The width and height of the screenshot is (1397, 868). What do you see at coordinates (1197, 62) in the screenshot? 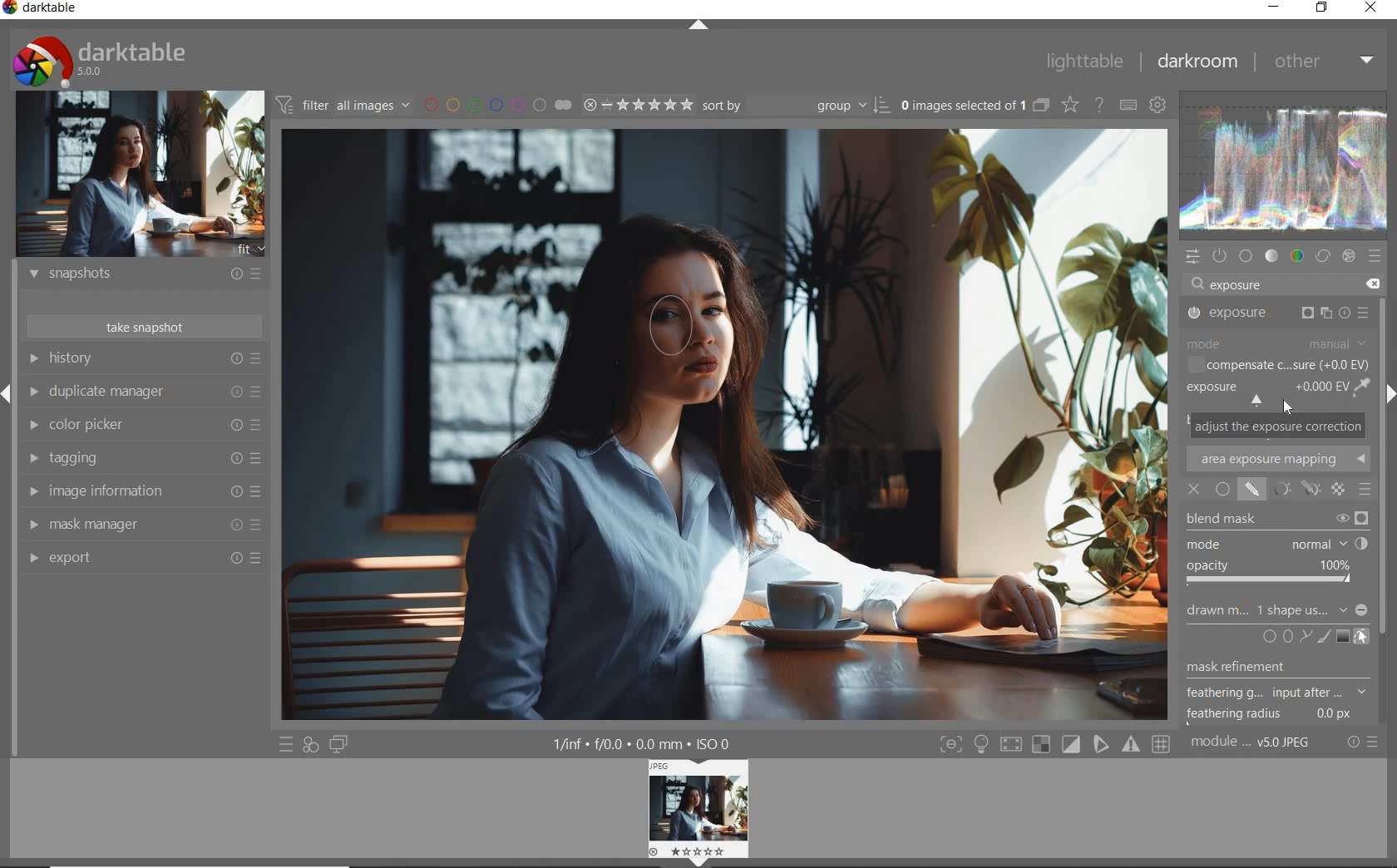
I see `darkroom` at bounding box center [1197, 62].